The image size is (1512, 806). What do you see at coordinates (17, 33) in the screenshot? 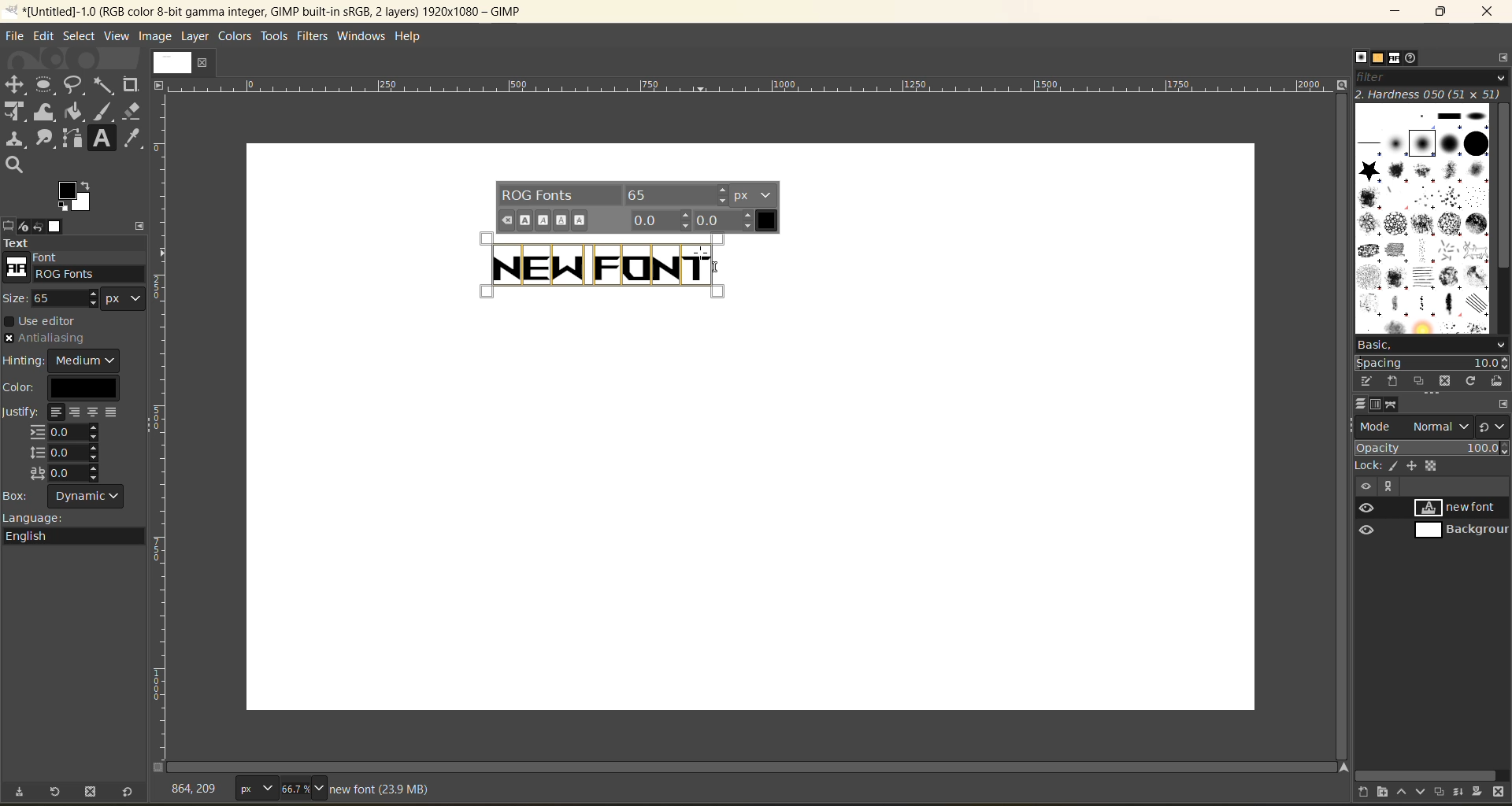
I see `file` at bounding box center [17, 33].